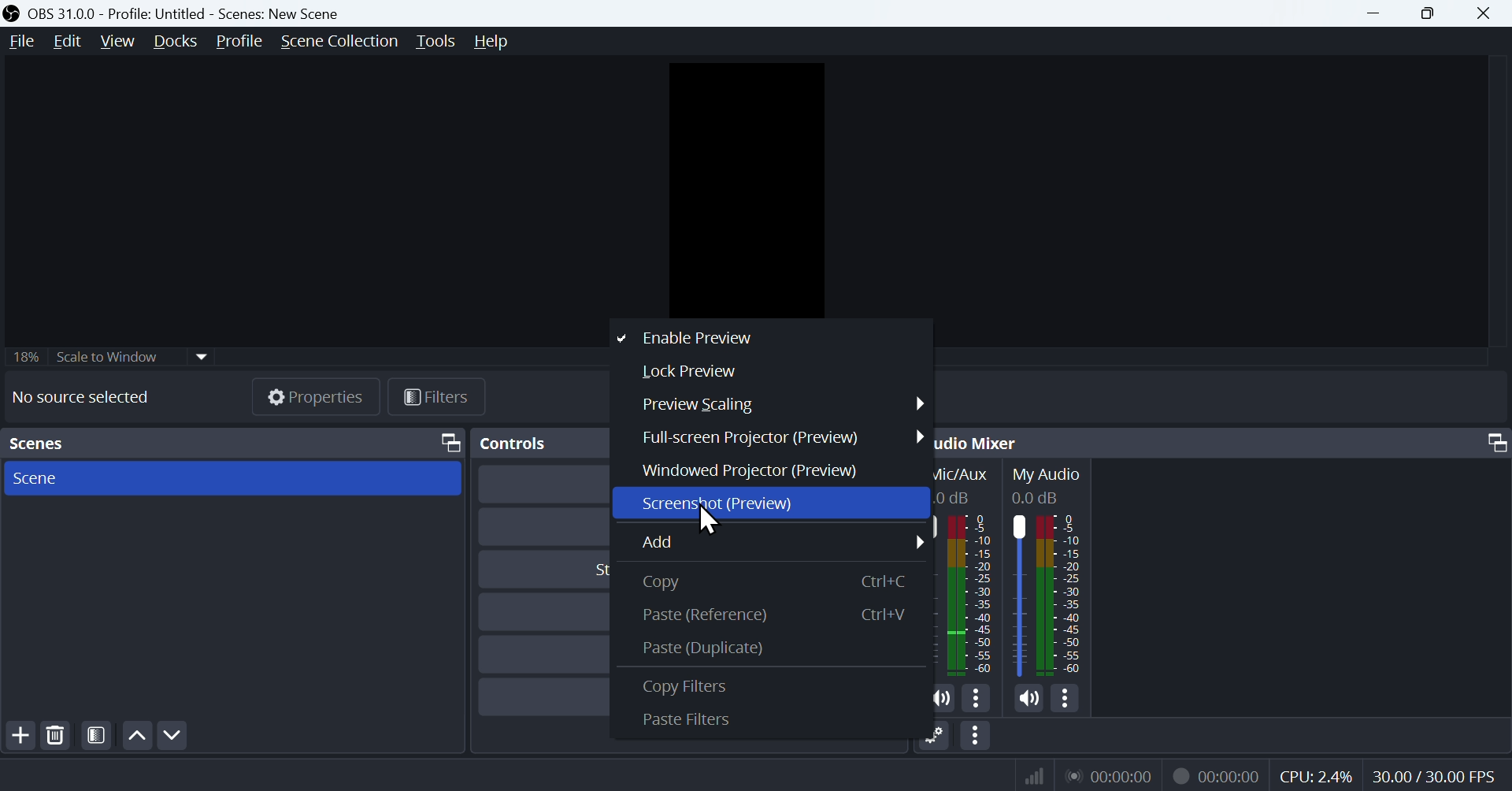 This screenshot has width=1512, height=791. What do you see at coordinates (938, 696) in the screenshot?
I see `Mute/Unmute` at bounding box center [938, 696].